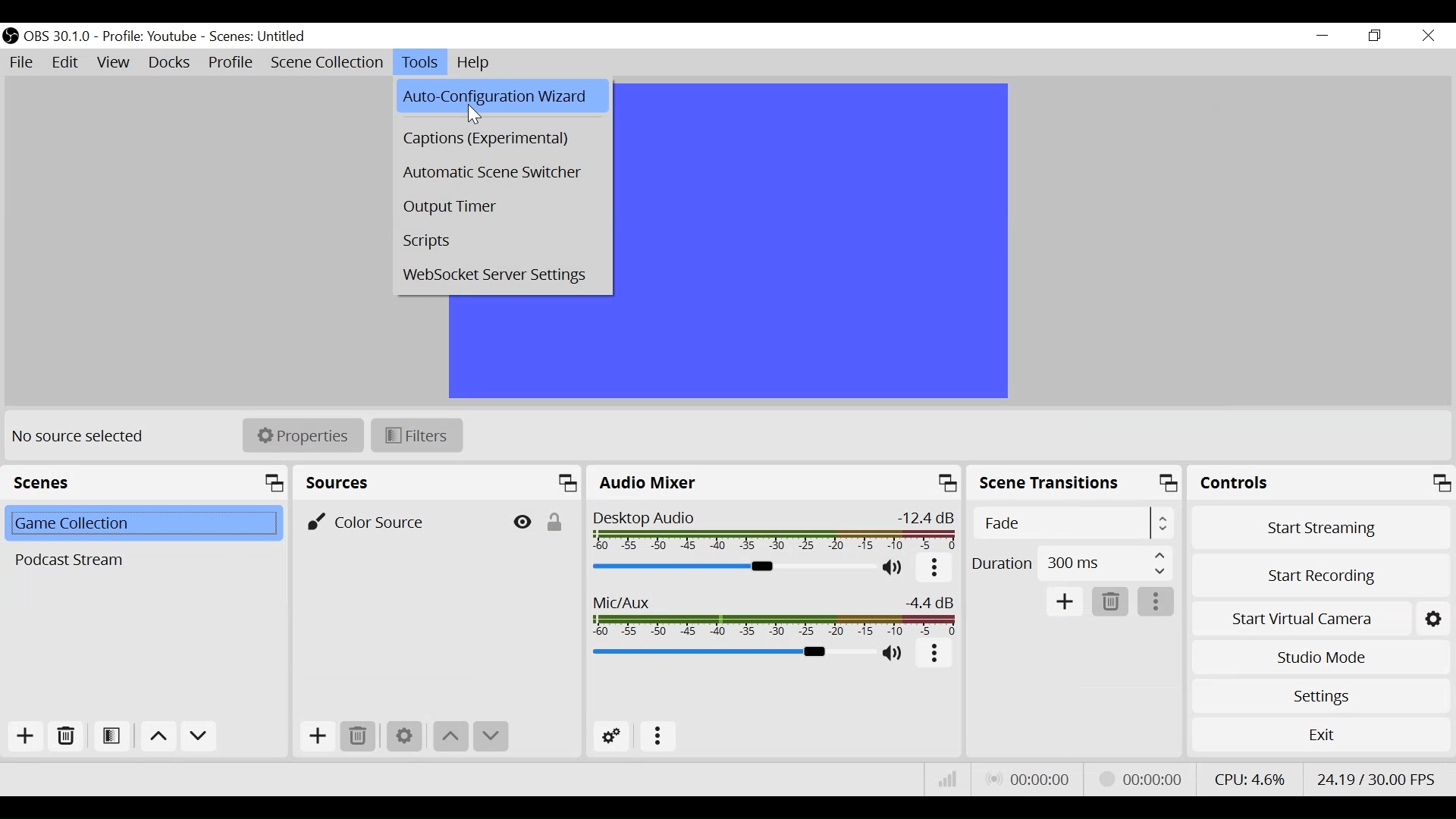 The height and width of the screenshot is (819, 1456). Describe the element at coordinates (11, 36) in the screenshot. I see `OBS Desktop icon` at that location.